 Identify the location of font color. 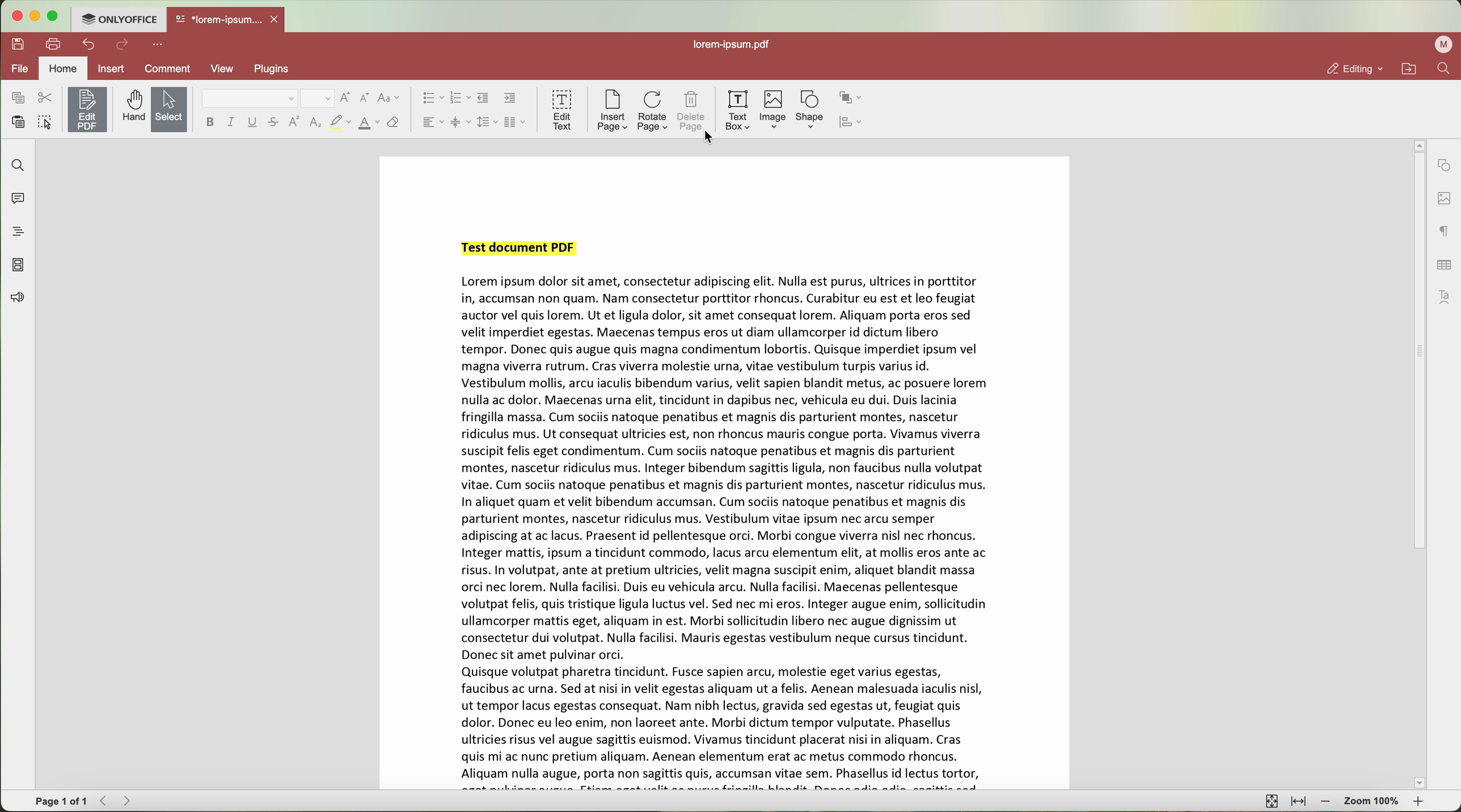
(367, 122).